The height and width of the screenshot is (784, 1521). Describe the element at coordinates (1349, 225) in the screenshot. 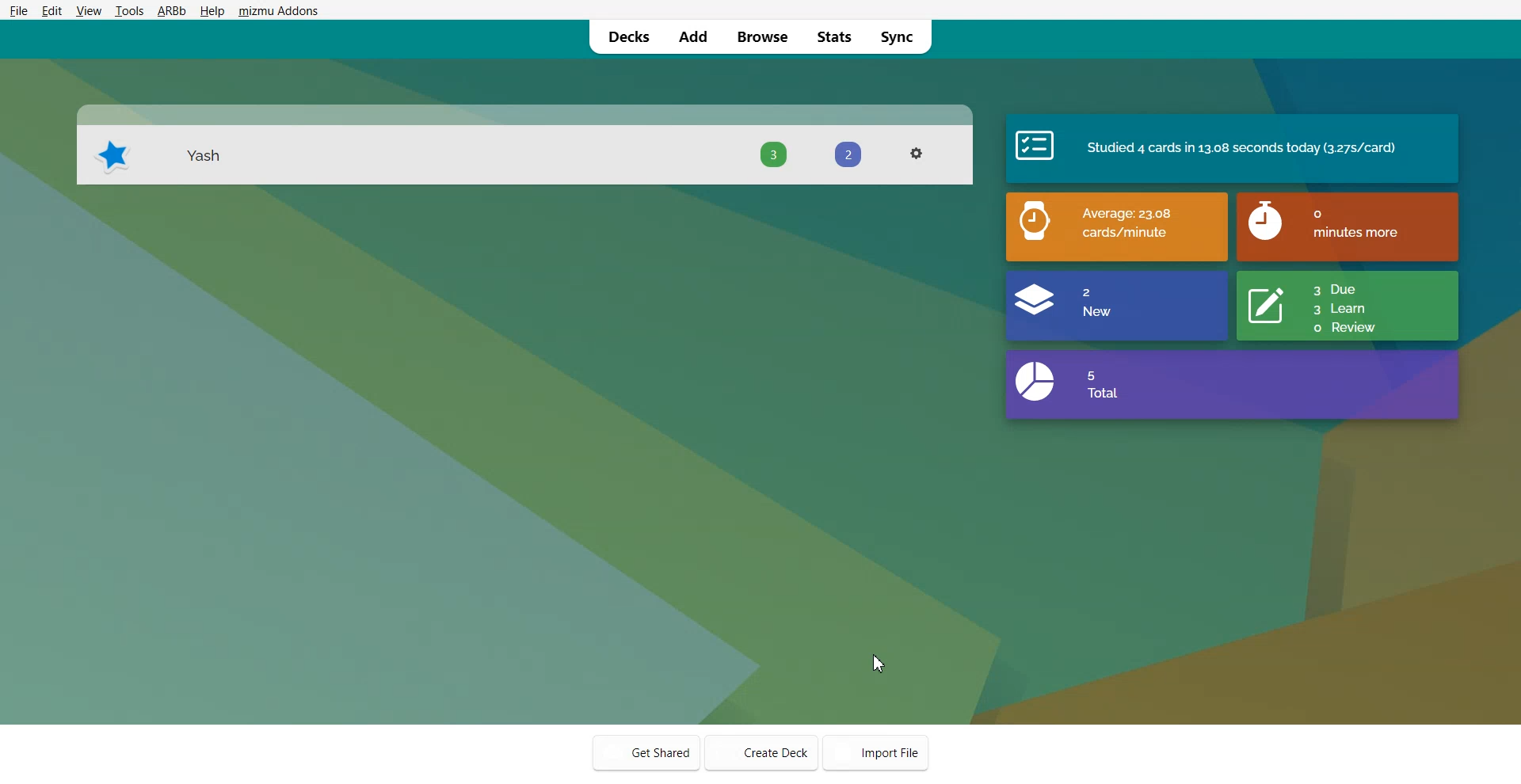

I see `0 Minutes more` at that location.